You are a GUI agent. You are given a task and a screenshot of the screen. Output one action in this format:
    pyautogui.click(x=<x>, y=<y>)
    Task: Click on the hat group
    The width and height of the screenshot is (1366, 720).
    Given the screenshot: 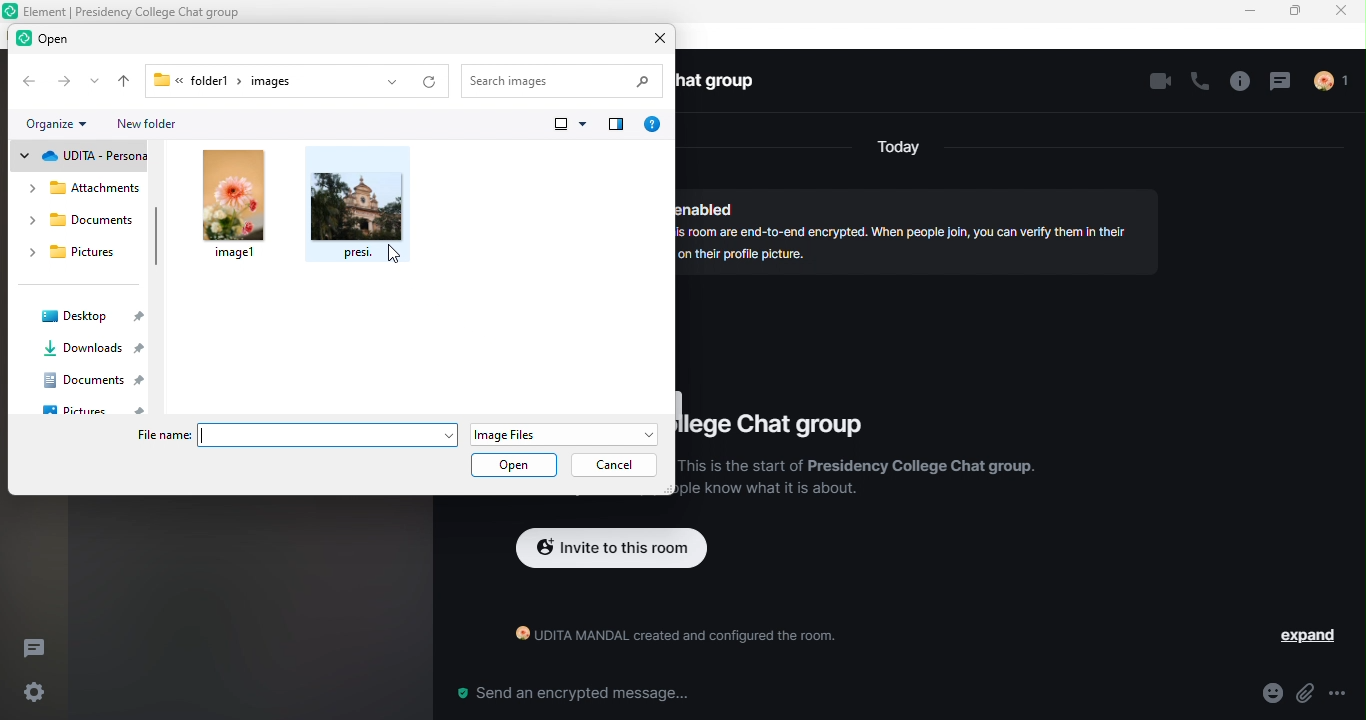 What is the action you would take?
    pyautogui.click(x=725, y=83)
    